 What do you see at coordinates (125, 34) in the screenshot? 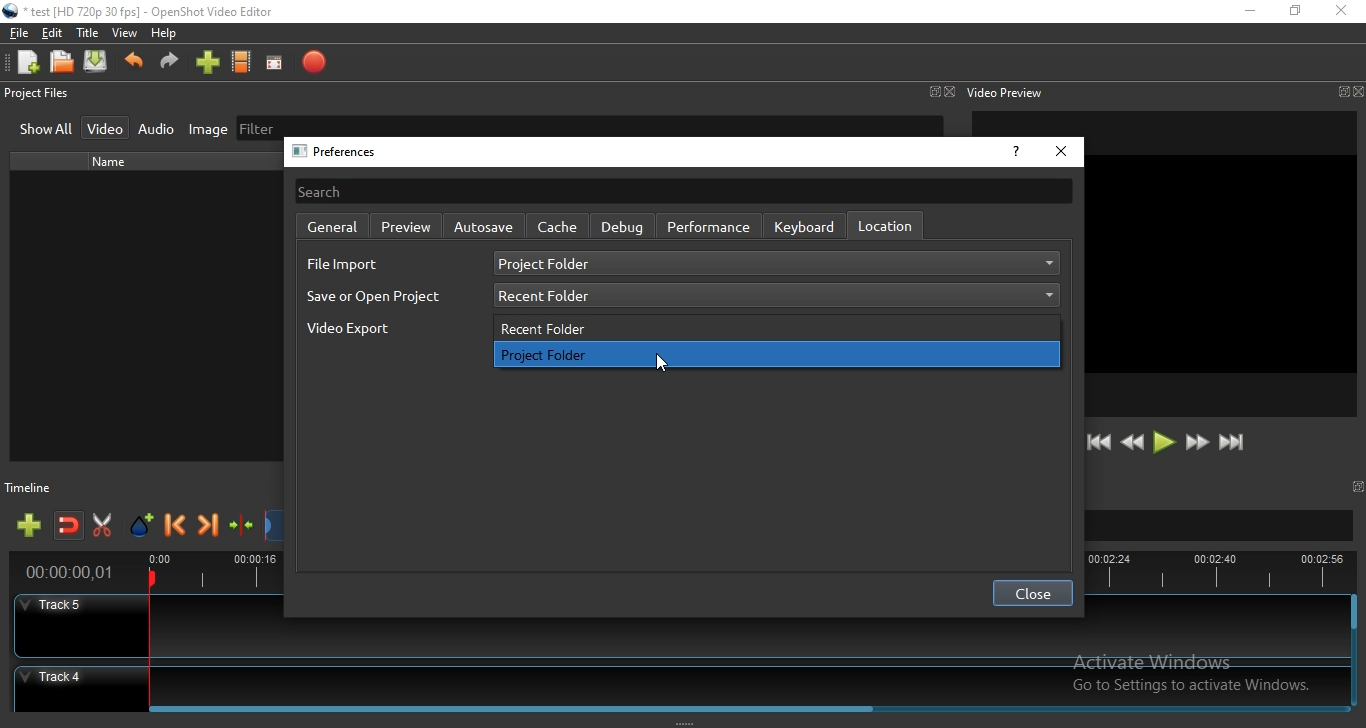
I see `View ` at bounding box center [125, 34].